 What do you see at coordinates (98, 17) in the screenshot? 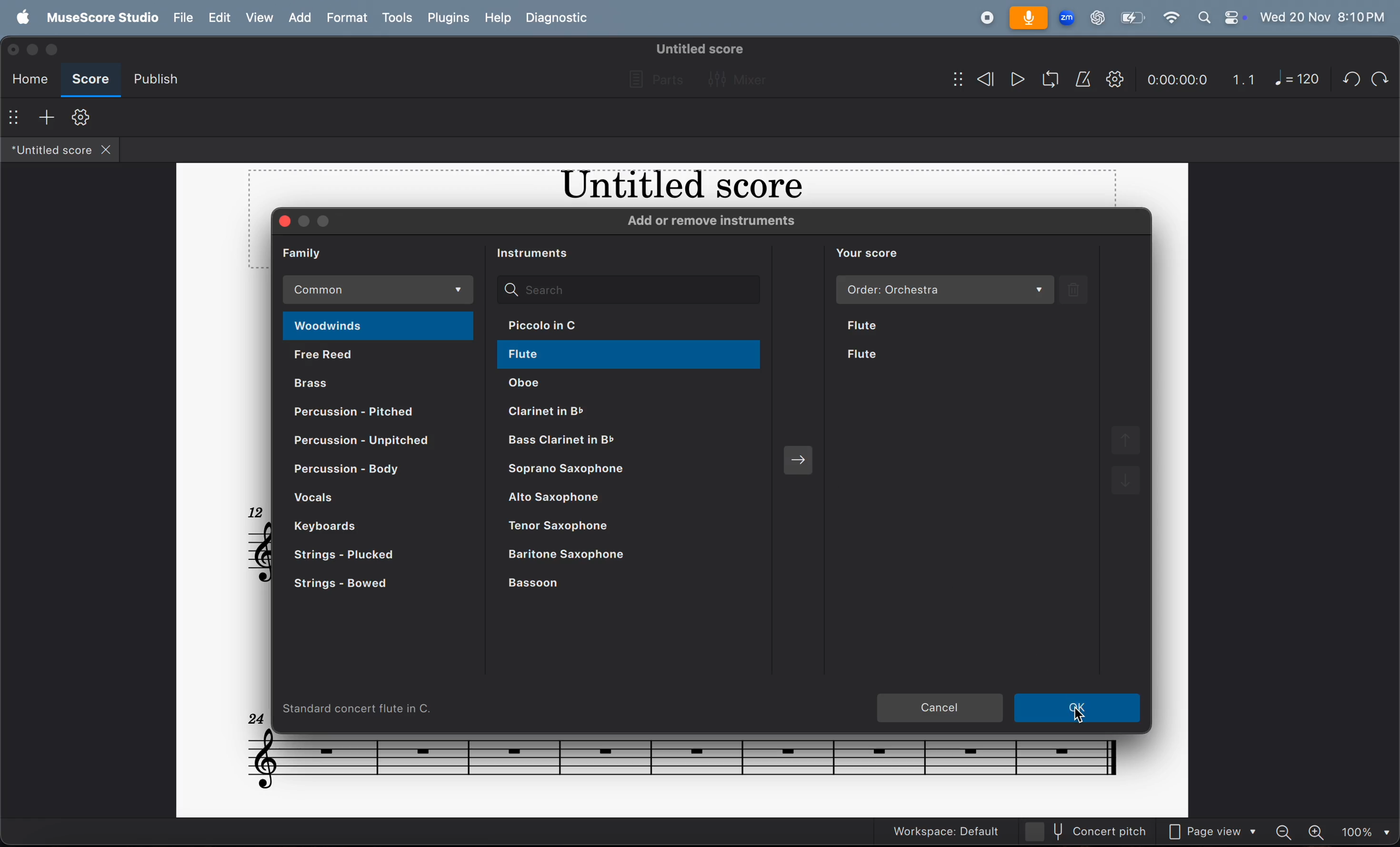
I see `musescore studio` at bounding box center [98, 17].